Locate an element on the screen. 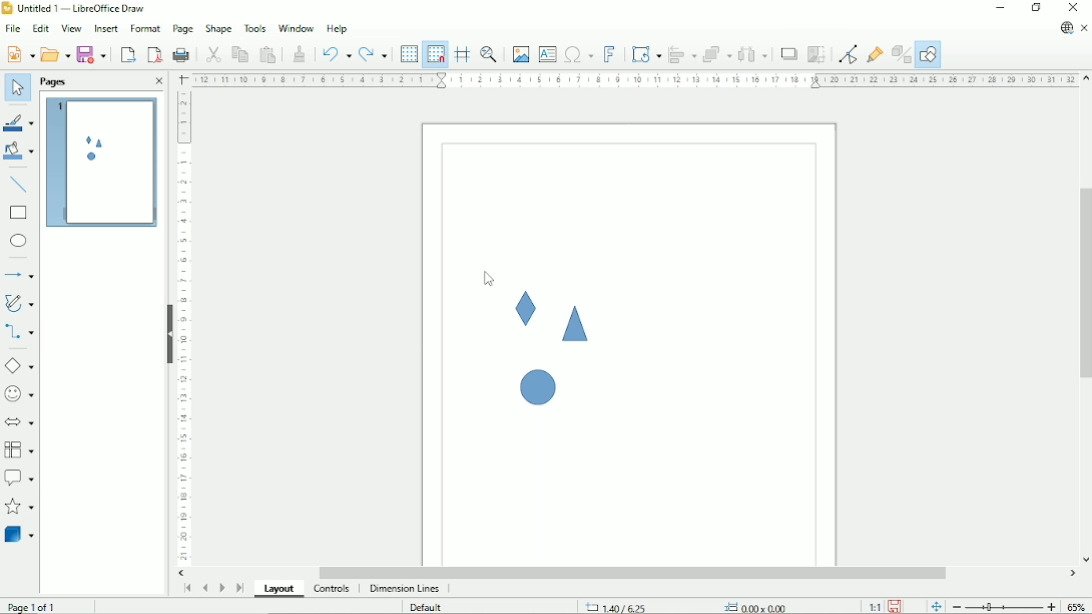 The height and width of the screenshot is (614, 1092). Export directly as PDF is located at coordinates (154, 54).